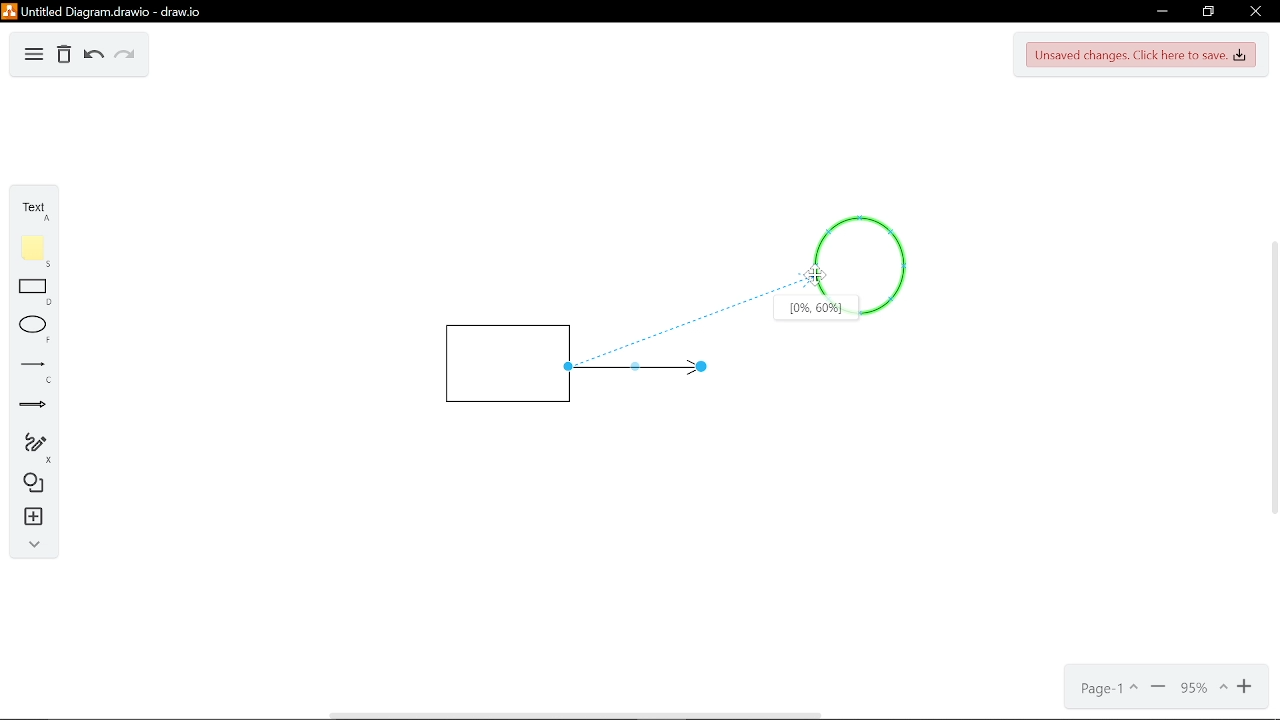  I want to click on Zoom in, so click(1246, 688).